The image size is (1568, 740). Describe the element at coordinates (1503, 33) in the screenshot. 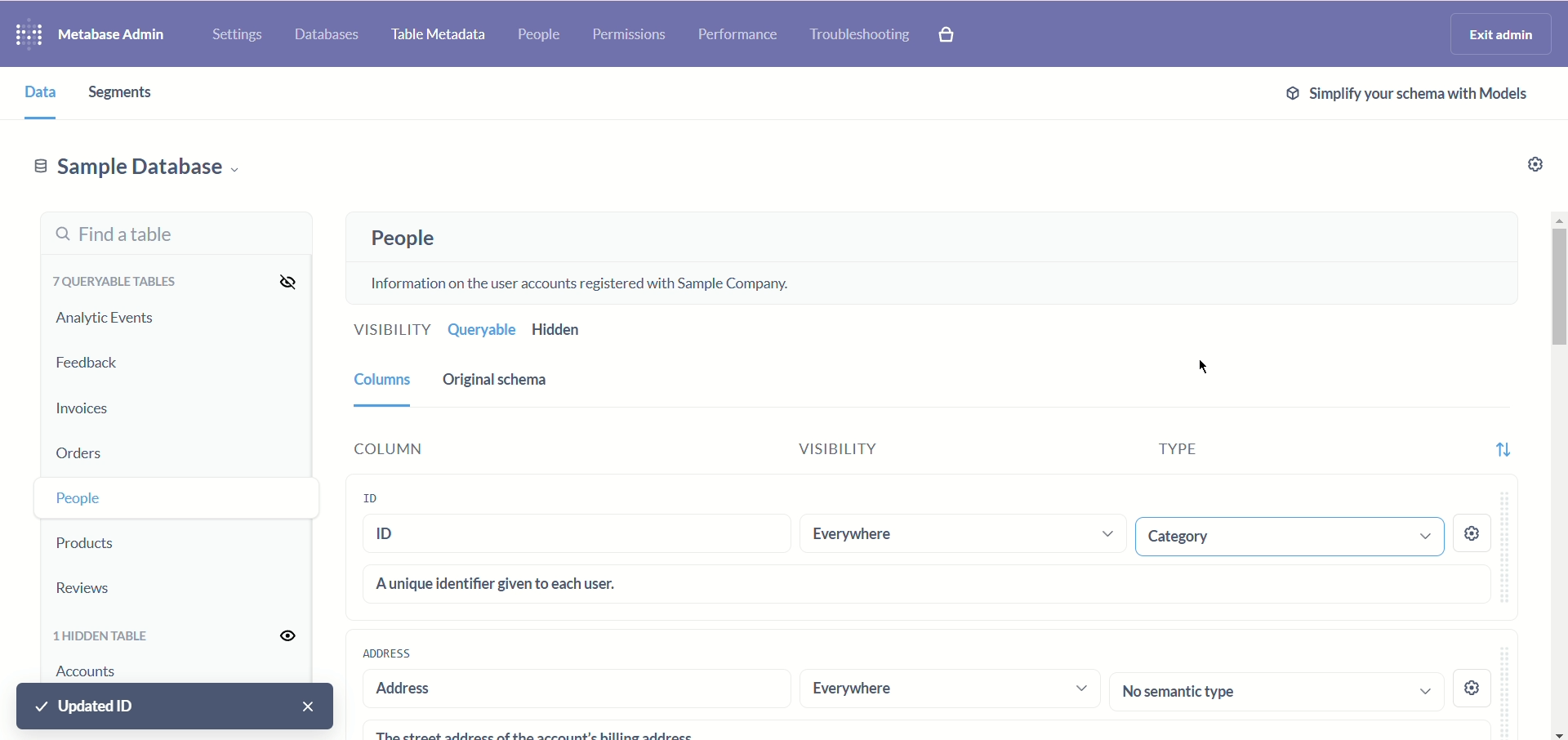

I see `Exit admin` at that location.